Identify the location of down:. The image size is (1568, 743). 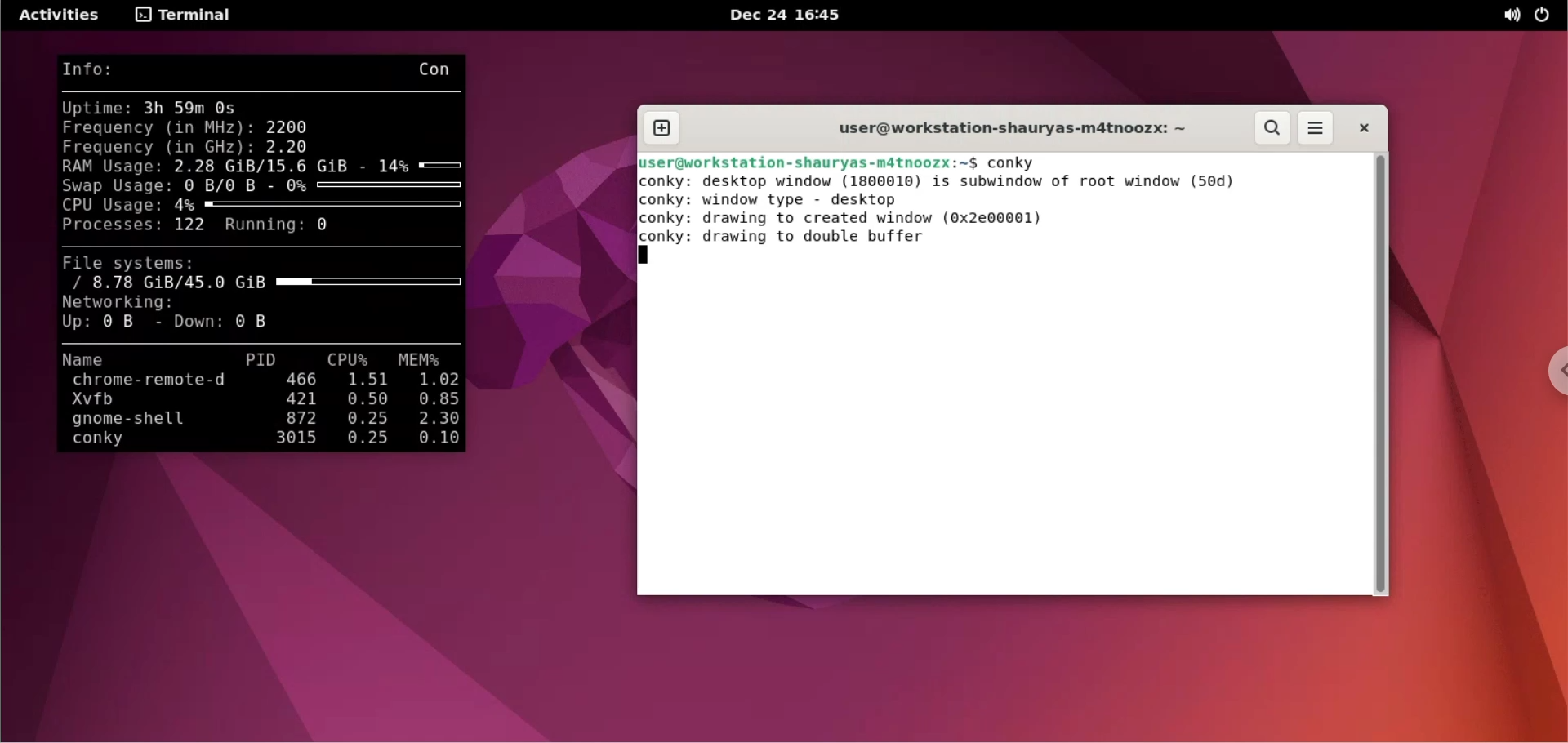
(198, 324).